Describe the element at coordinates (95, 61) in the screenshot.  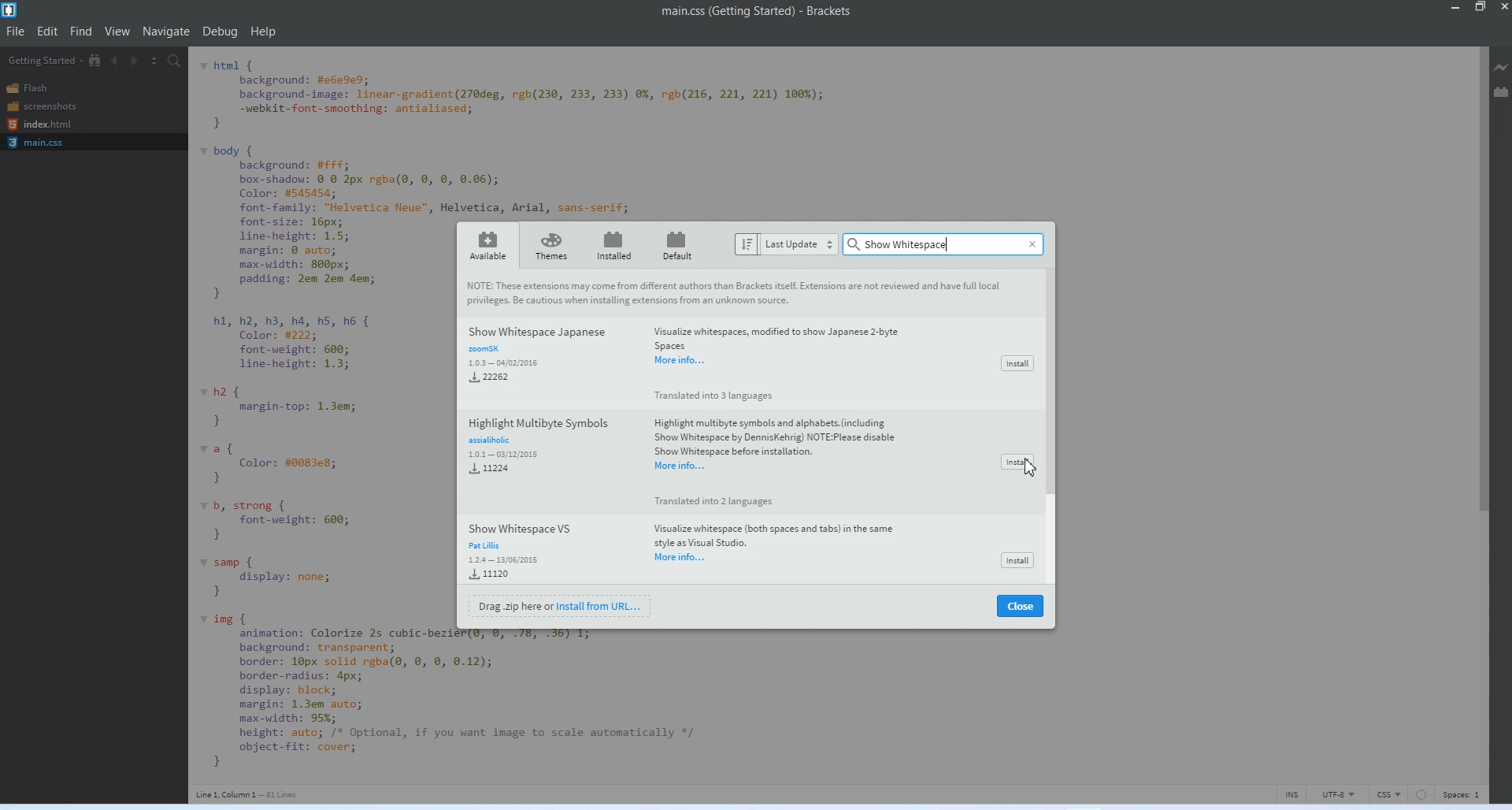
I see `Show in file Tree` at that location.